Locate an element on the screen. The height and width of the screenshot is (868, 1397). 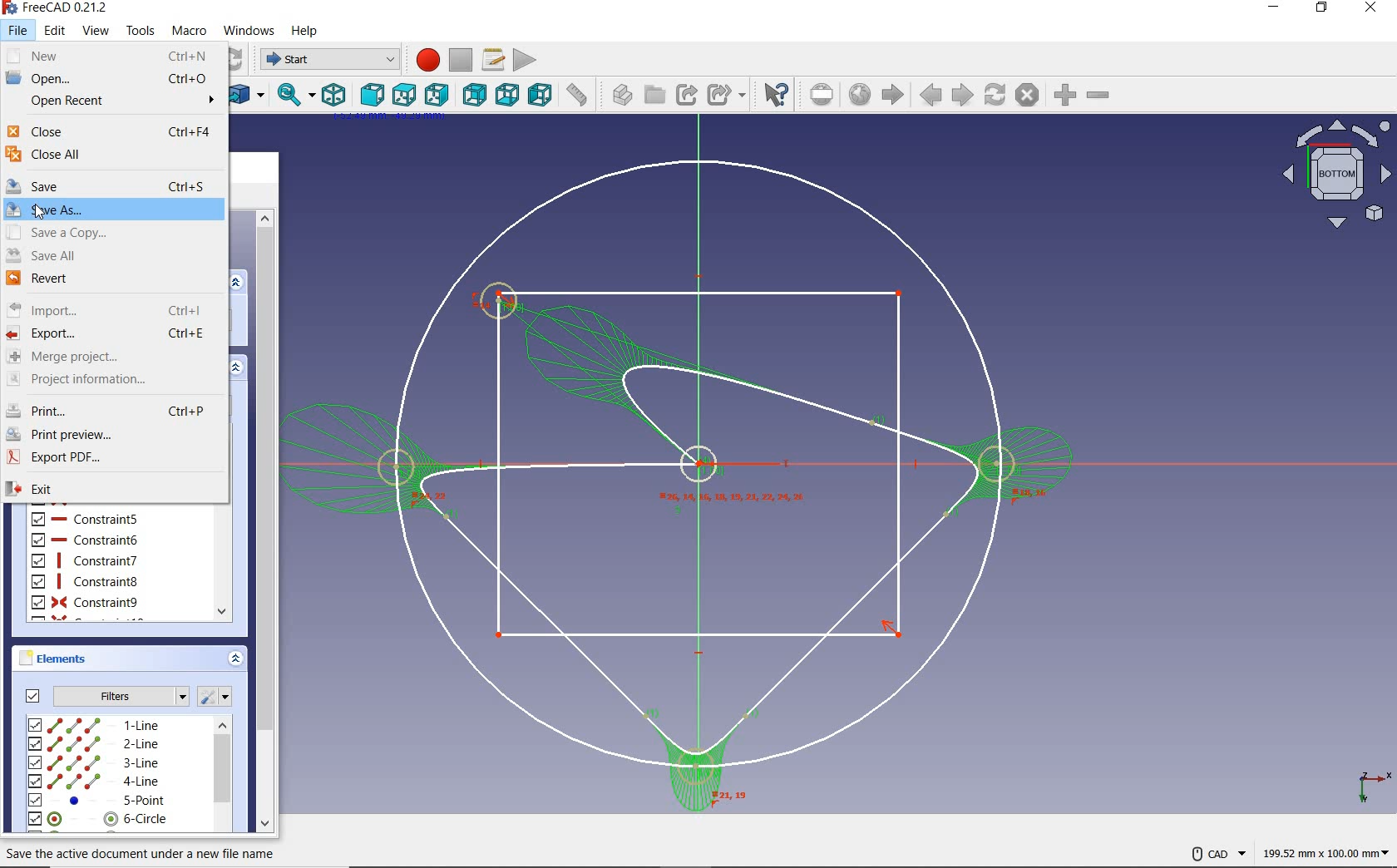
bottom view is located at coordinates (1335, 175).